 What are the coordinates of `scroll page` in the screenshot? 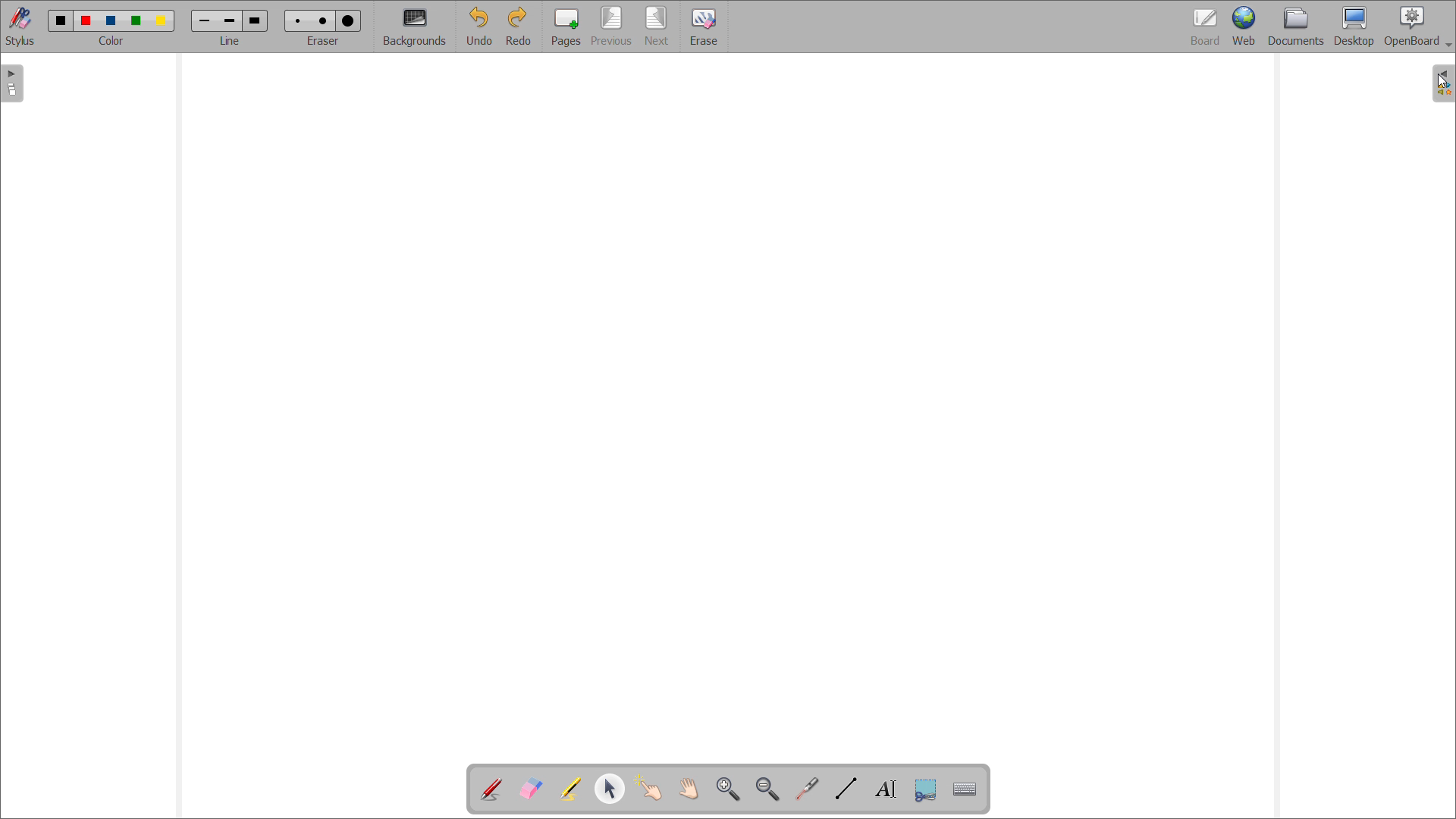 It's located at (688, 789).